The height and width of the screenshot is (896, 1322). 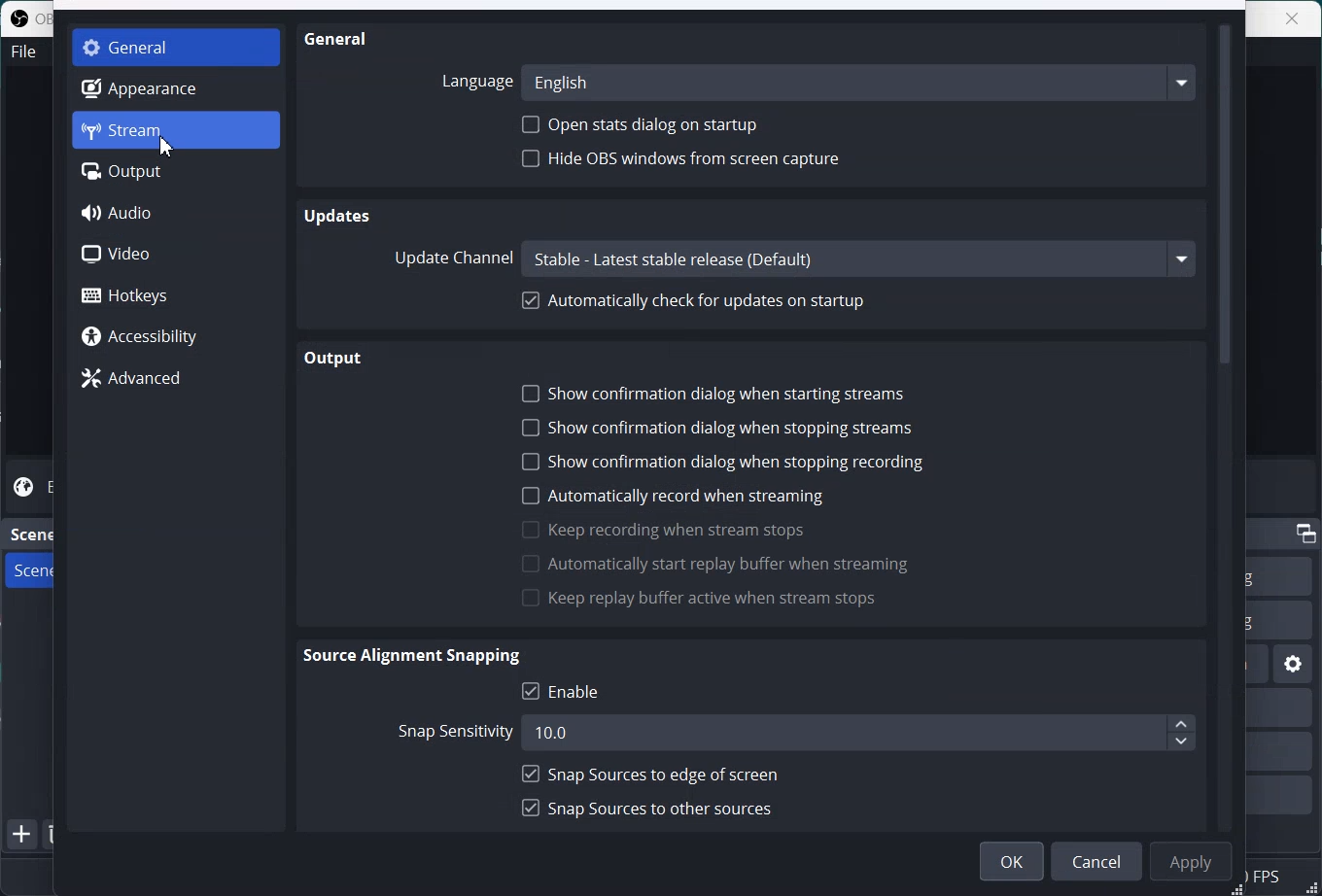 What do you see at coordinates (1195, 860) in the screenshot?
I see `Apply` at bounding box center [1195, 860].